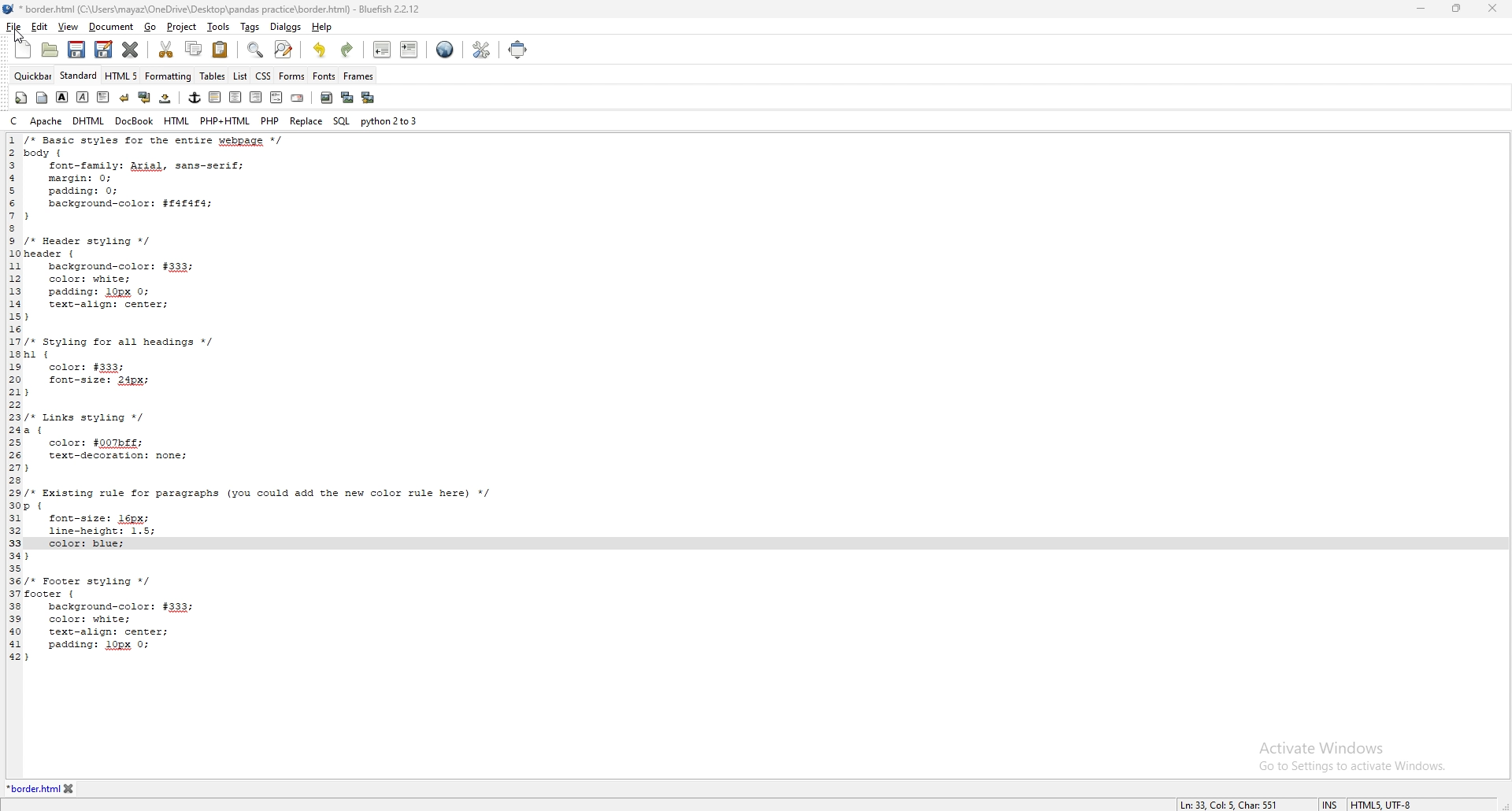 This screenshot has width=1512, height=811. Describe the element at coordinates (112, 27) in the screenshot. I see `document` at that location.